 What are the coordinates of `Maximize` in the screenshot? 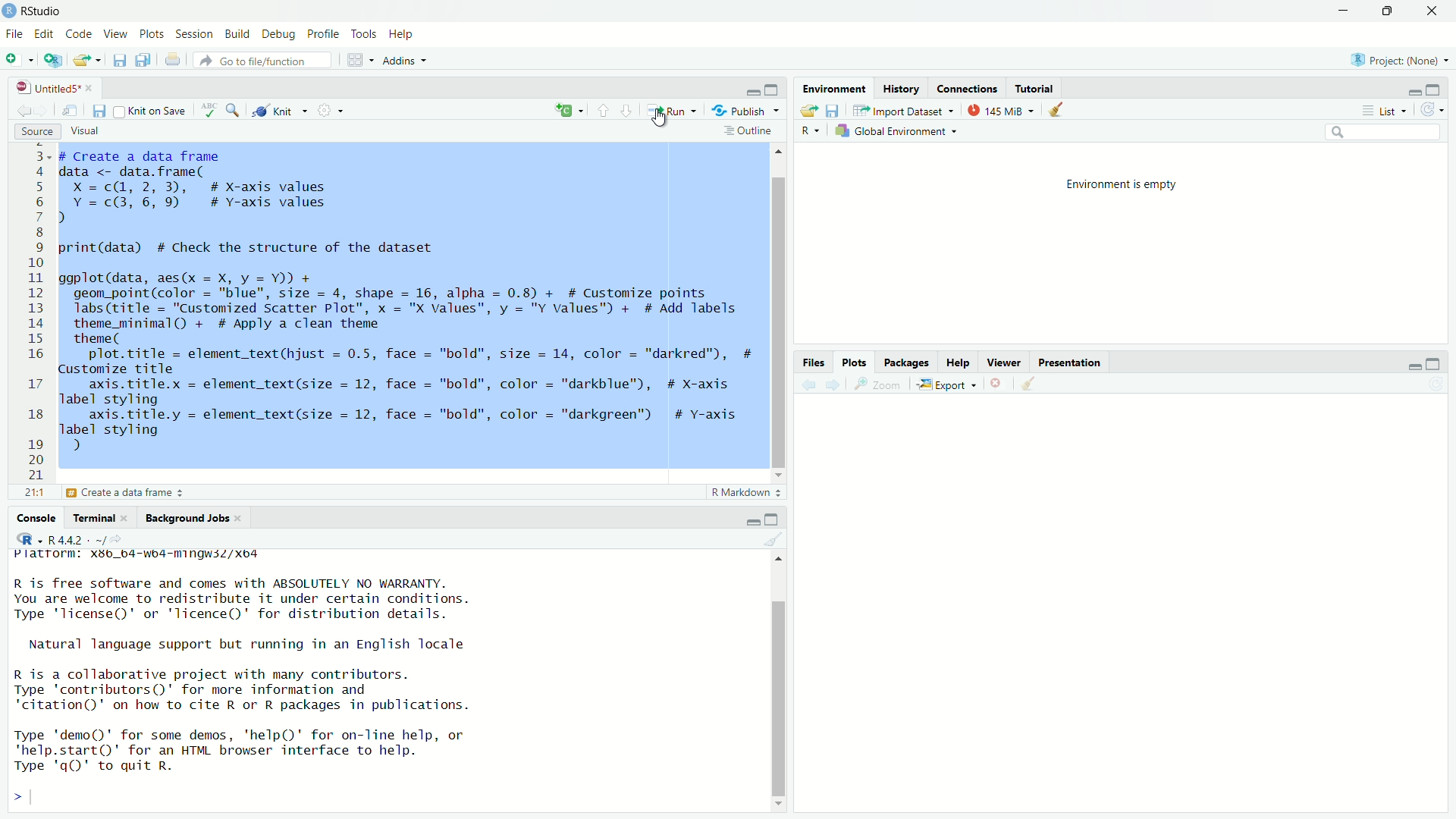 It's located at (1433, 89).